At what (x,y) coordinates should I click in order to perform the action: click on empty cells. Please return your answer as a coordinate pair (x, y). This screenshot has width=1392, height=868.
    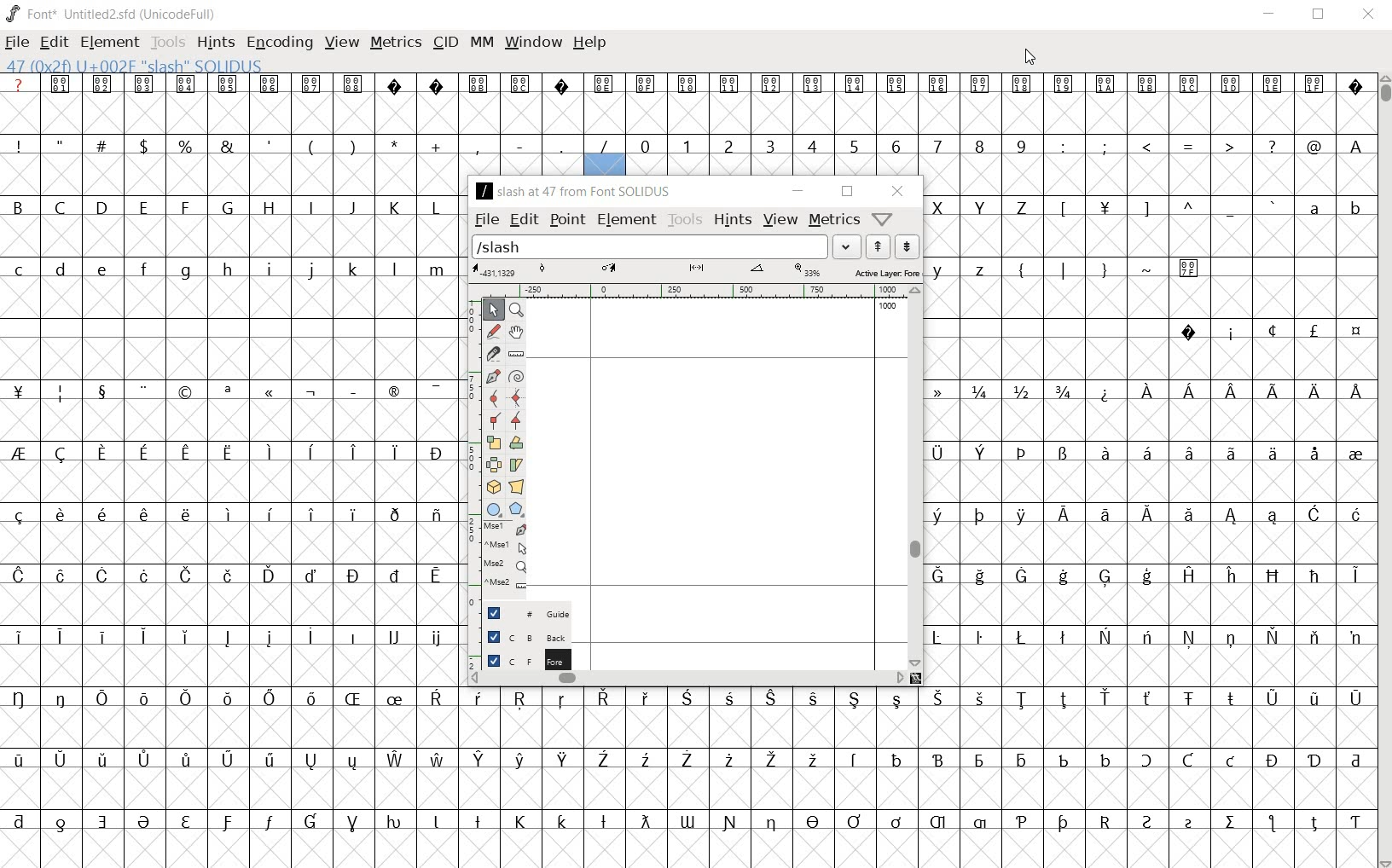
    Looking at the image, I should click on (234, 357).